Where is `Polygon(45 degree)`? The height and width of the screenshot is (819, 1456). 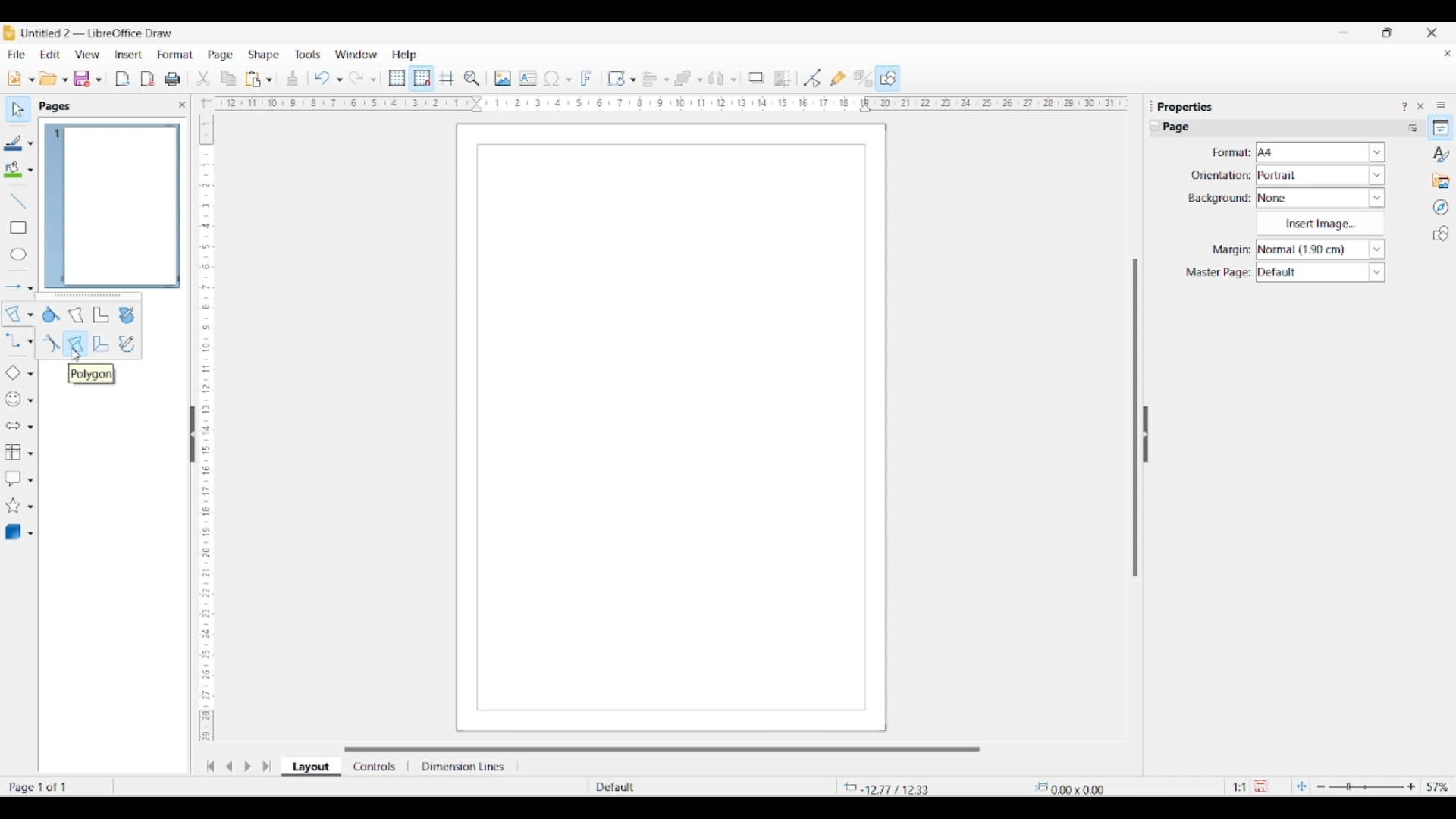
Polygon(45 degree) is located at coordinates (101, 344).